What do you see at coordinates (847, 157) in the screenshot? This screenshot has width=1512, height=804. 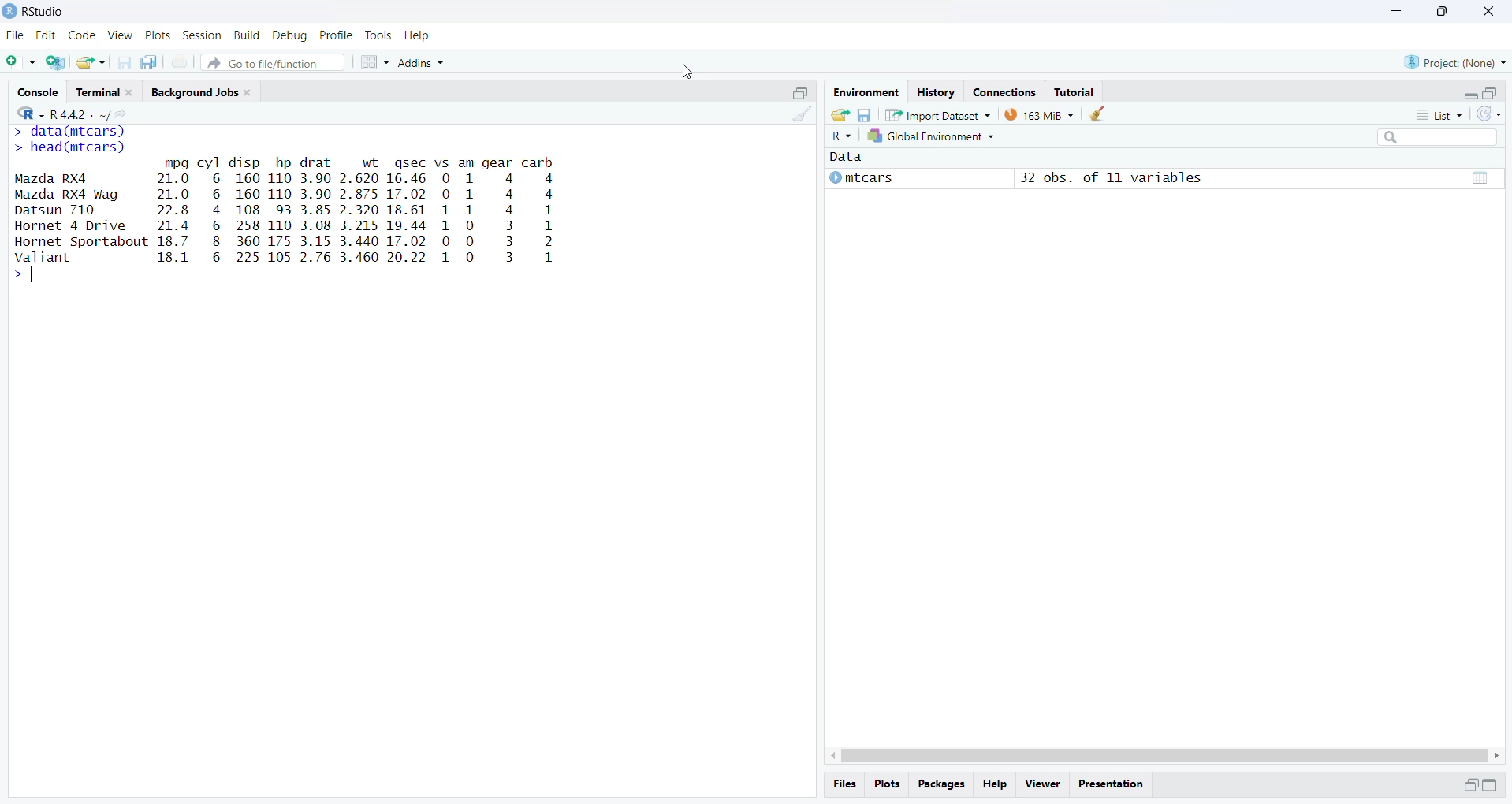 I see `Data` at bounding box center [847, 157].